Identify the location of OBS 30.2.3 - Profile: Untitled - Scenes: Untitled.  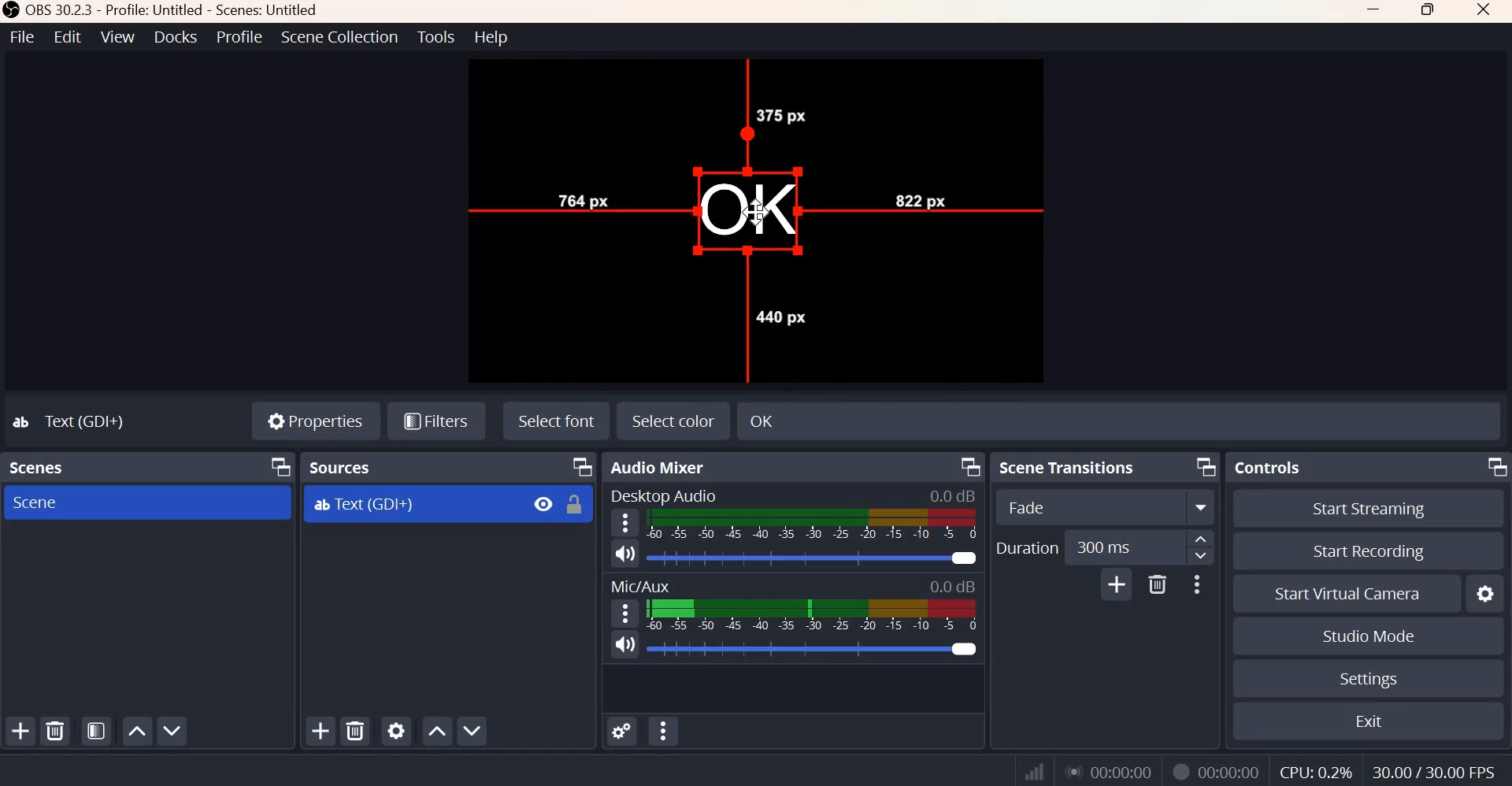
(163, 10).